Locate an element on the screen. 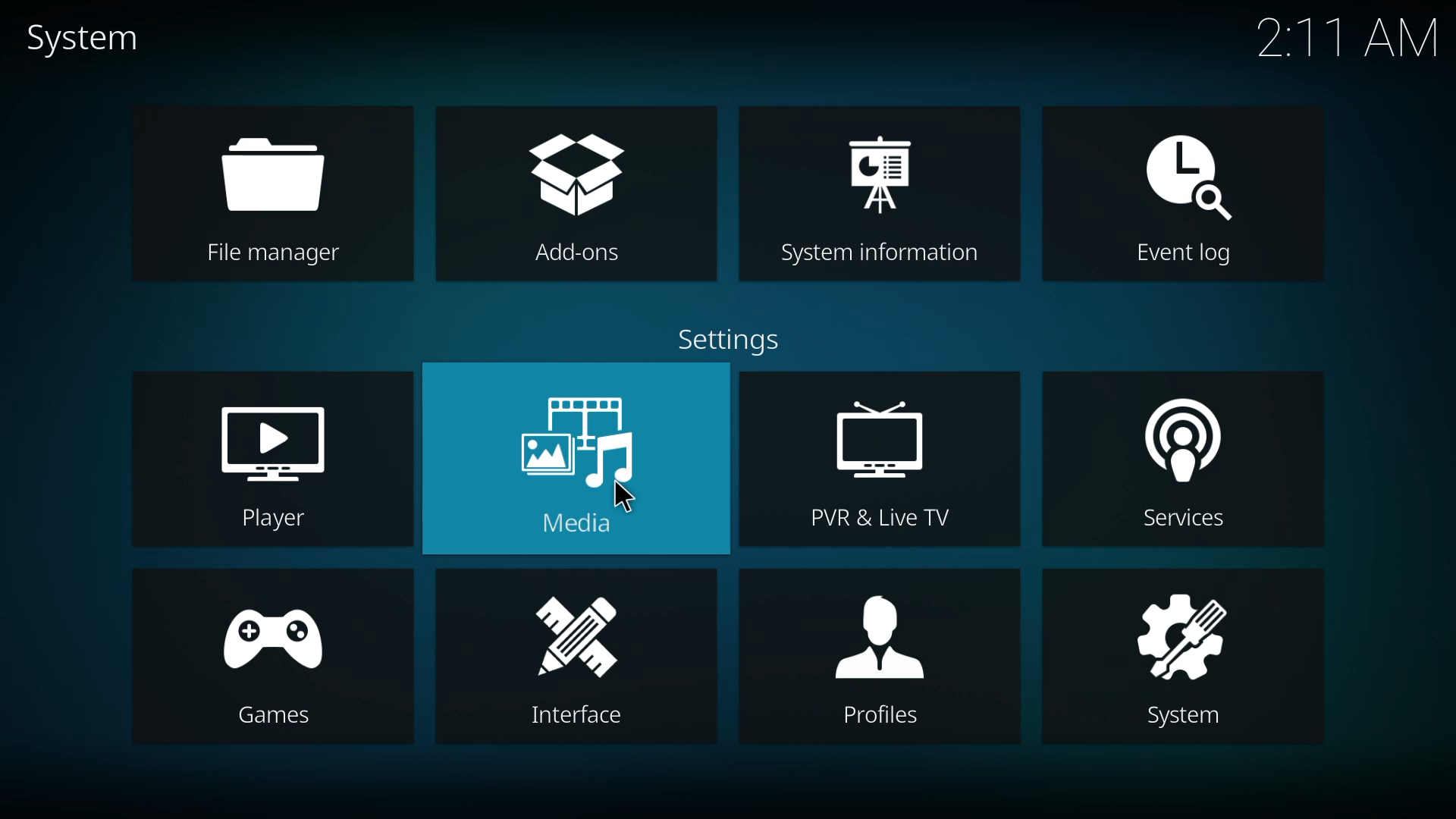 Image resolution: width=1456 pixels, height=819 pixels. event log is located at coordinates (1188, 196).